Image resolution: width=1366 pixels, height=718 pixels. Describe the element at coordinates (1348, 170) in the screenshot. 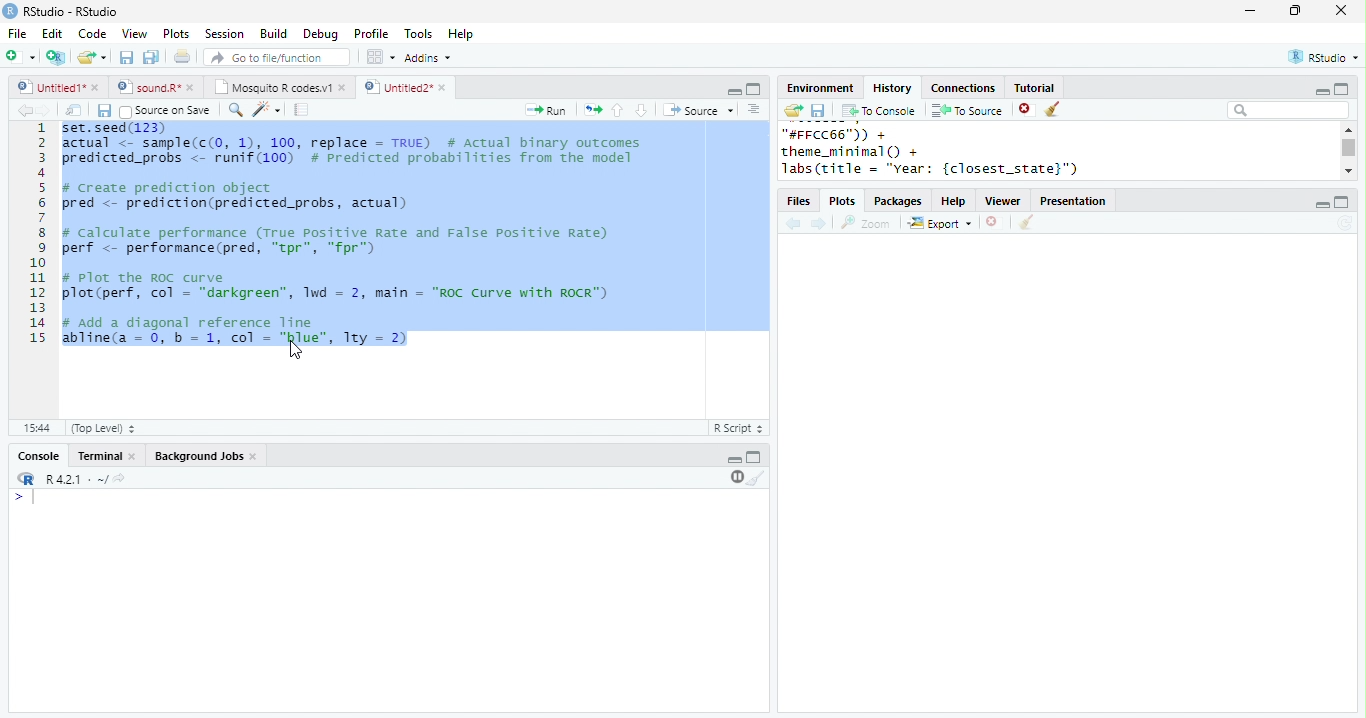

I see `scroll down` at that location.